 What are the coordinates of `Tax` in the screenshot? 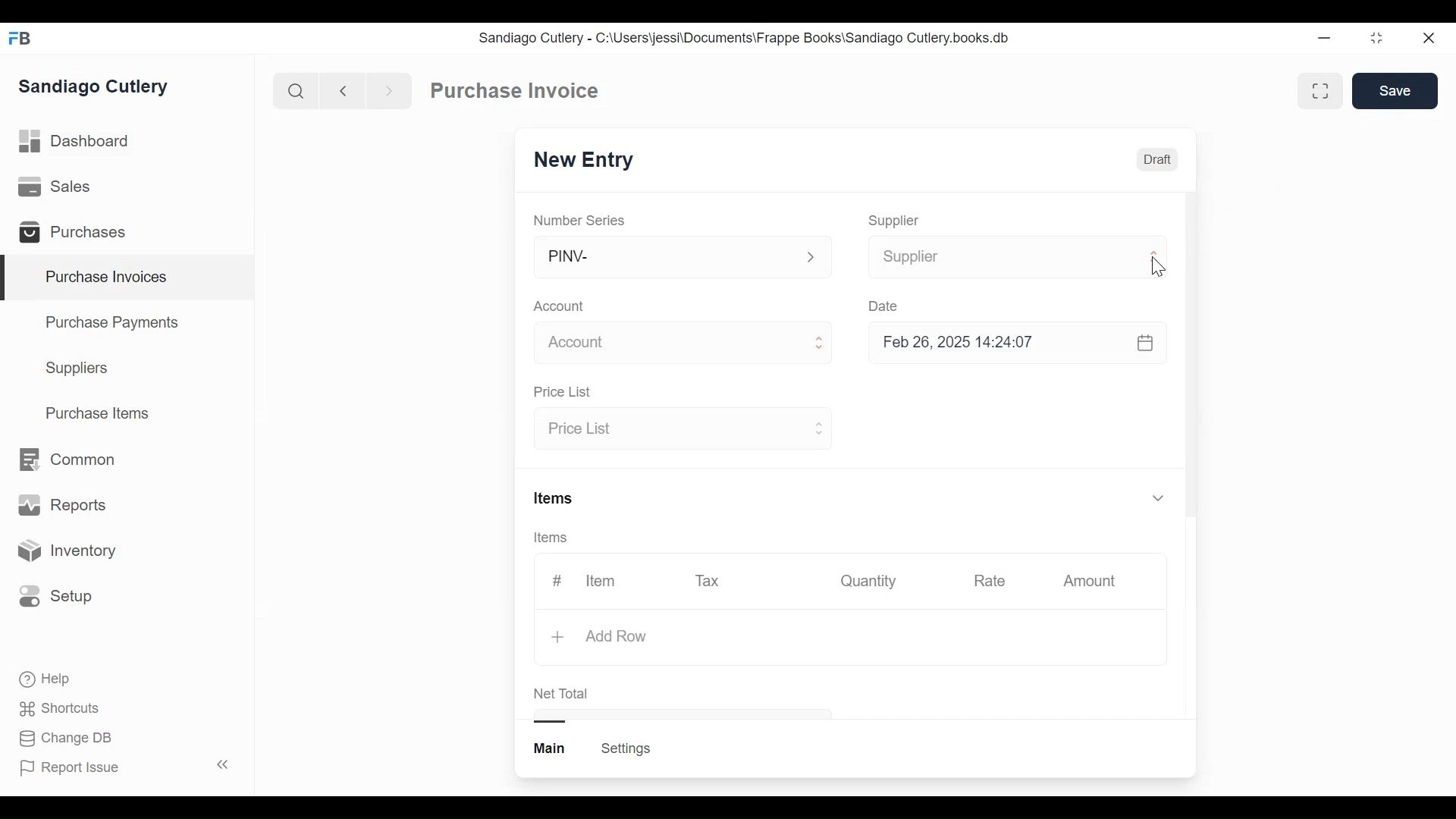 It's located at (710, 579).